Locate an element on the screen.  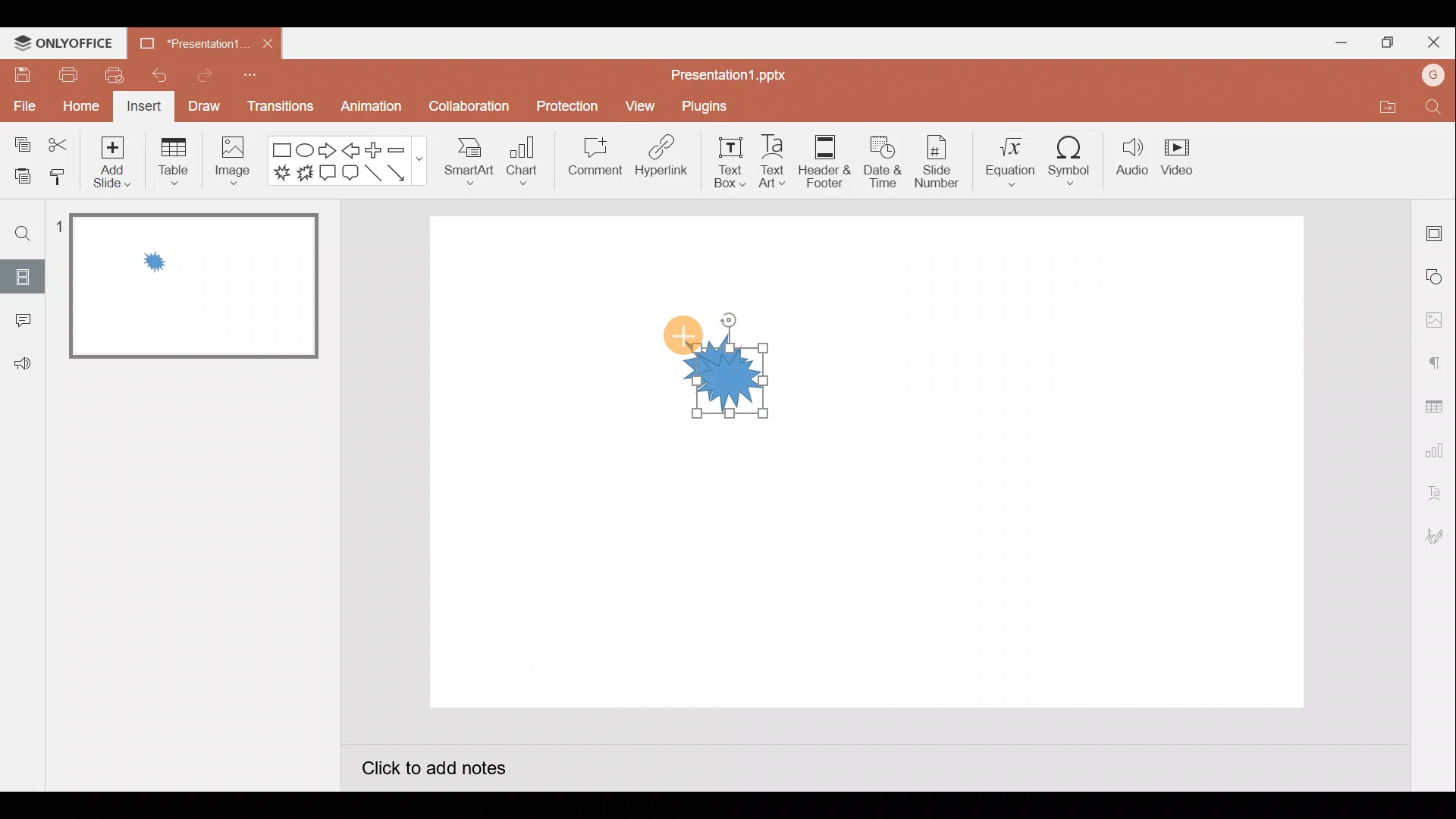
Signature settings is located at coordinates (1437, 535).